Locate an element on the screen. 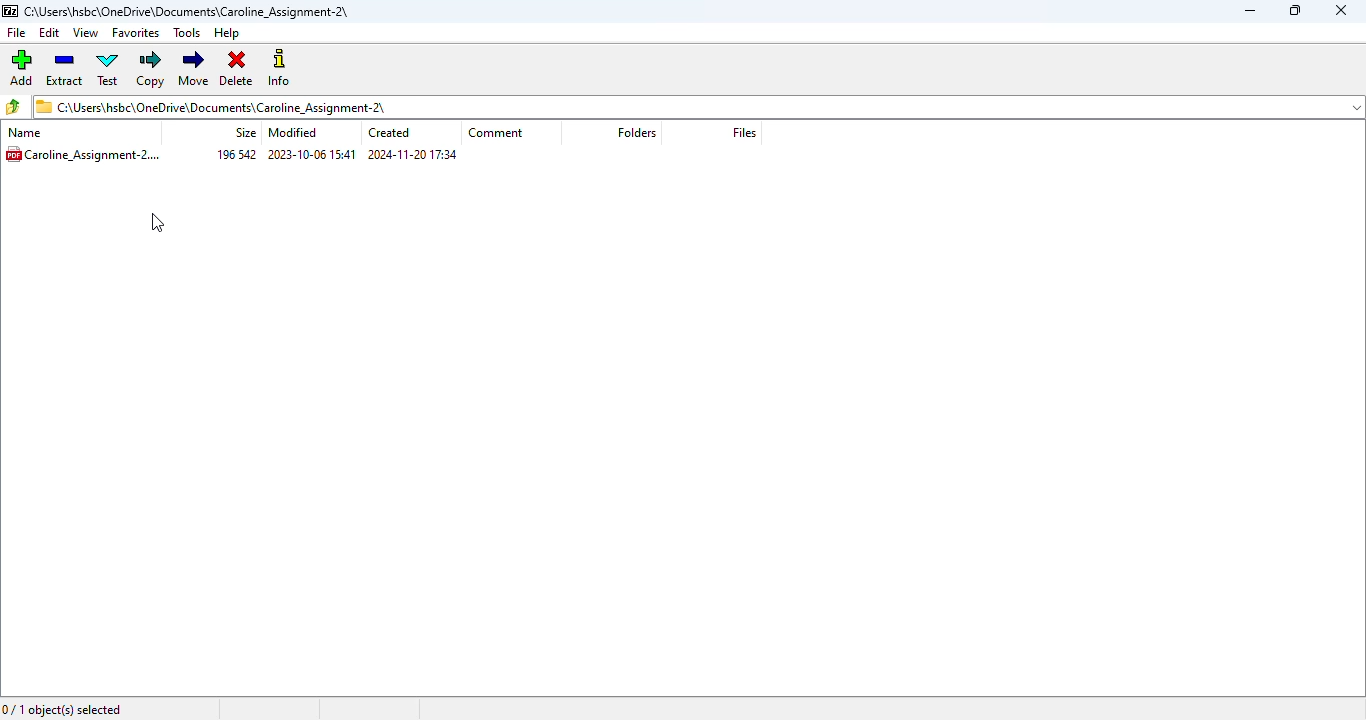  196 542 is located at coordinates (238, 155).